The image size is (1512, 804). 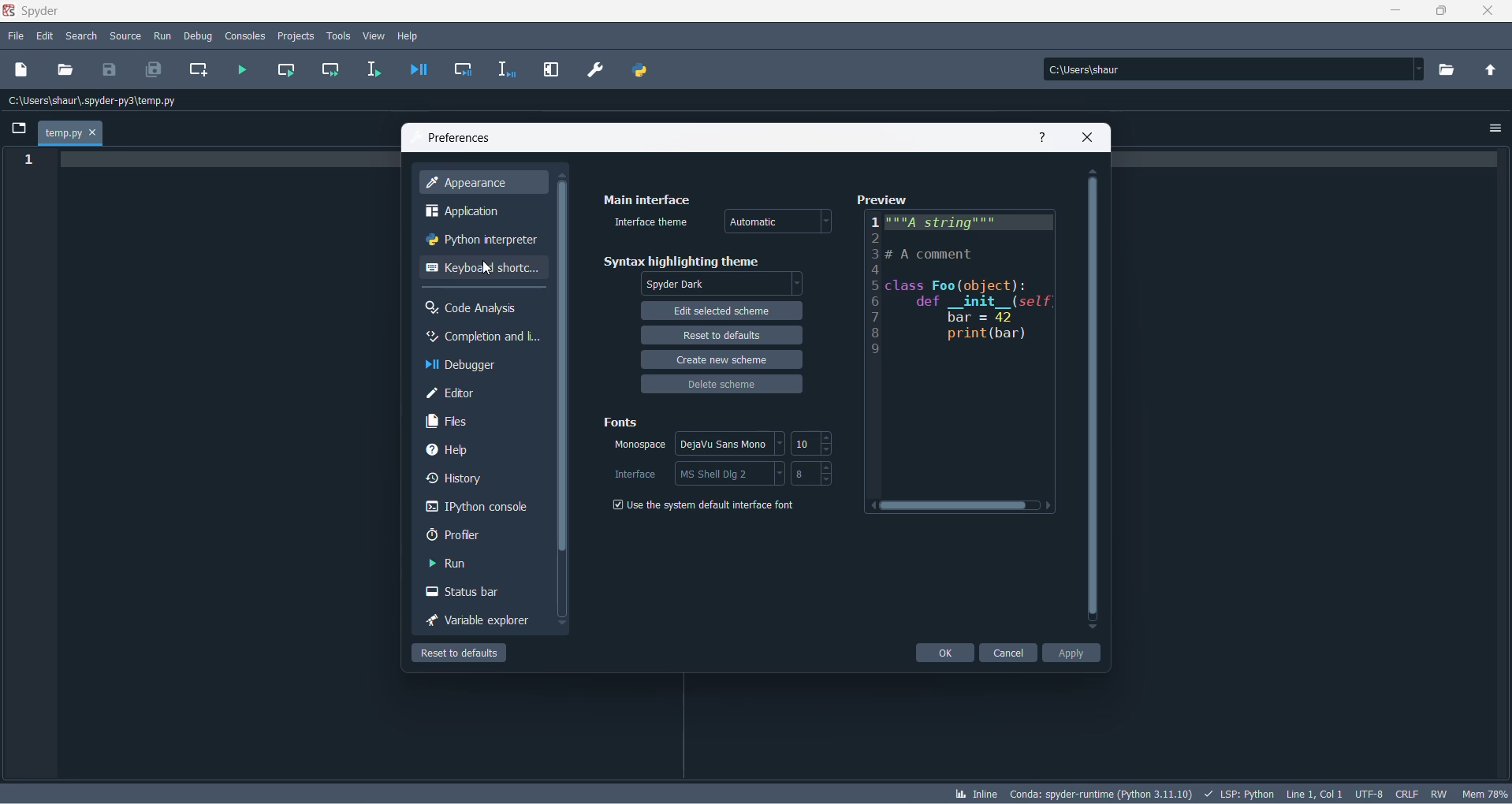 What do you see at coordinates (1315, 791) in the screenshot?
I see `line and column number` at bounding box center [1315, 791].